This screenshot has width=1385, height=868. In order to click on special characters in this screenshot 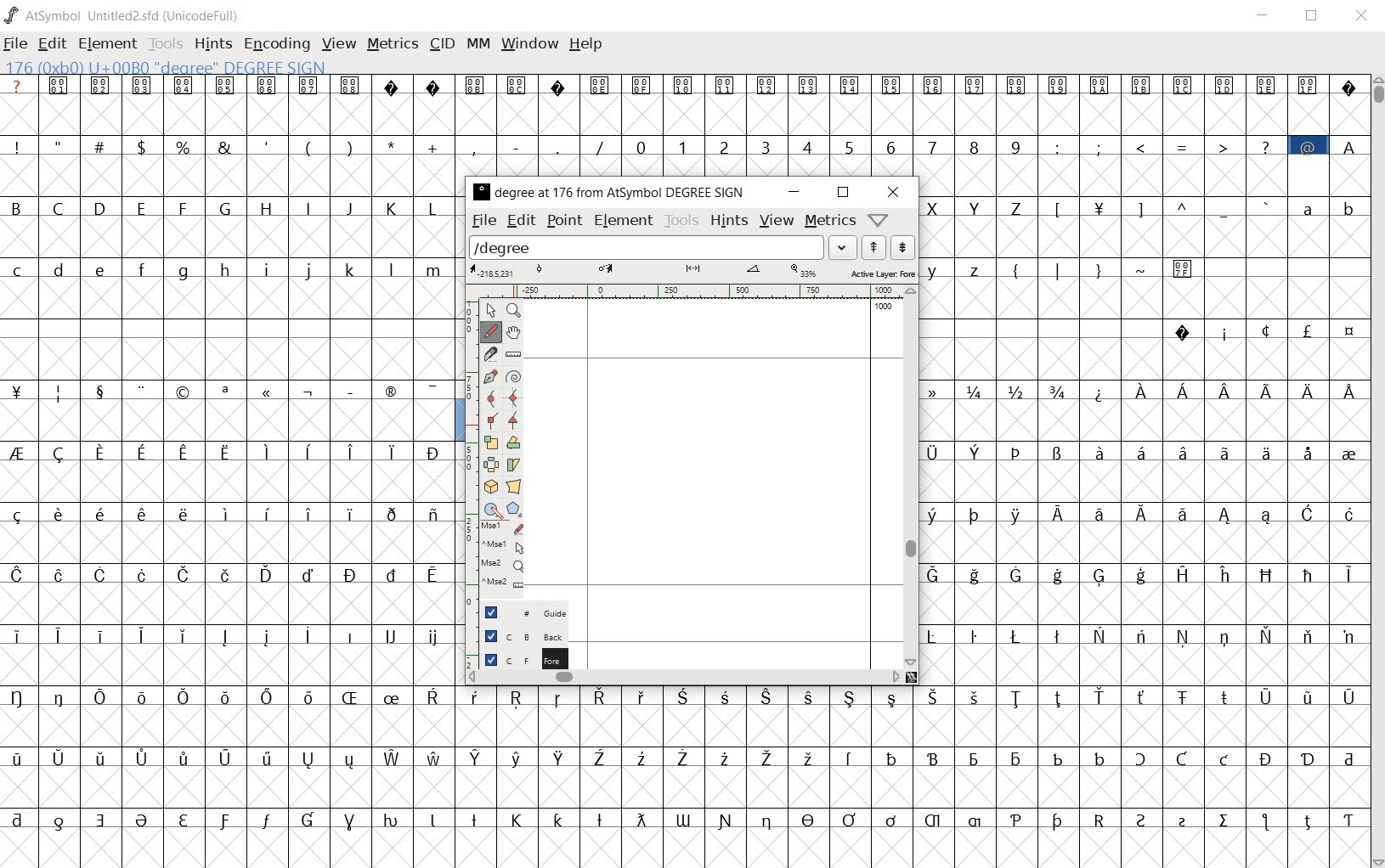, I will do `click(229, 392)`.